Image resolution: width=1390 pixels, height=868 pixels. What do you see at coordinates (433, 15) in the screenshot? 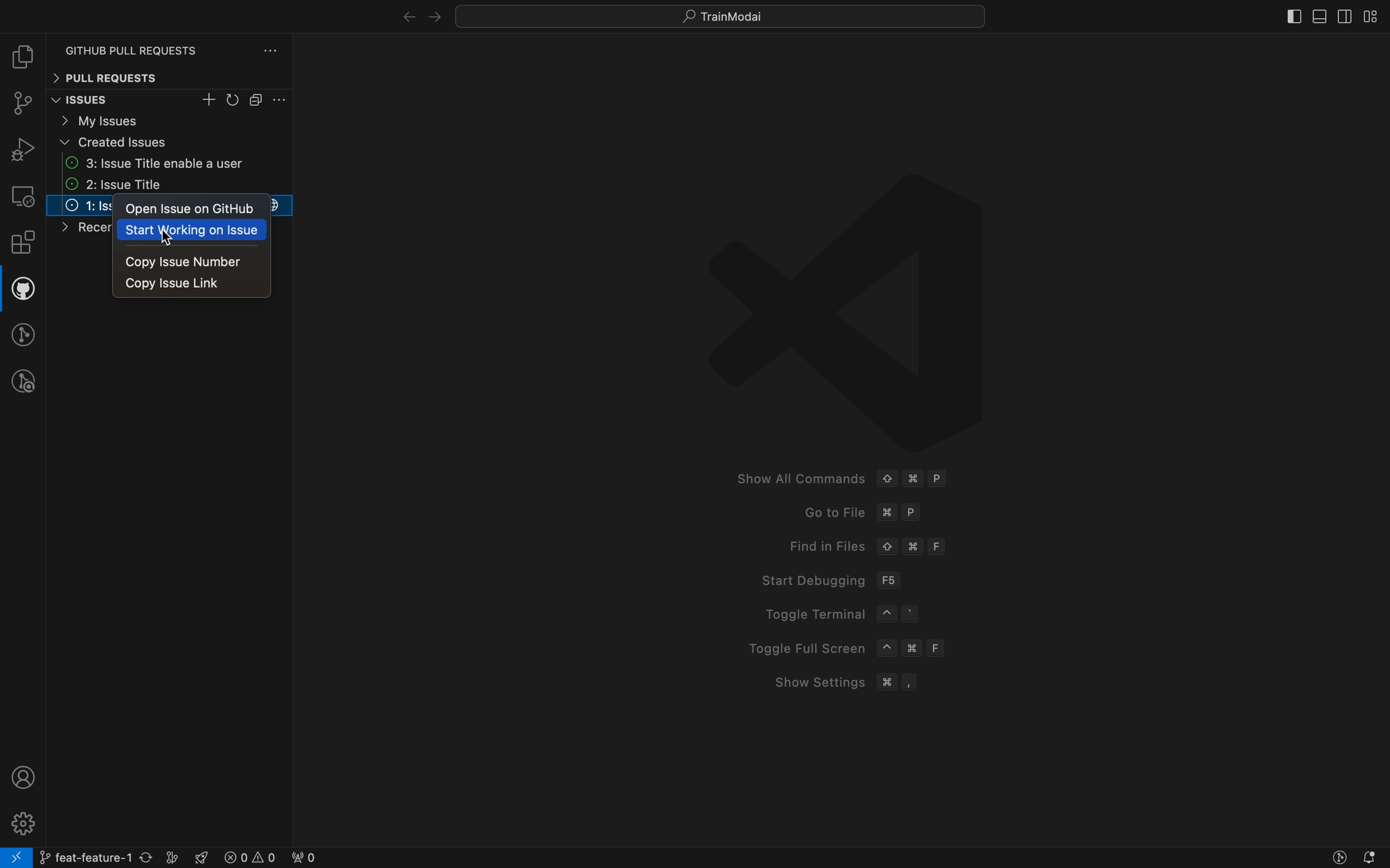
I see `left arrow` at bounding box center [433, 15].